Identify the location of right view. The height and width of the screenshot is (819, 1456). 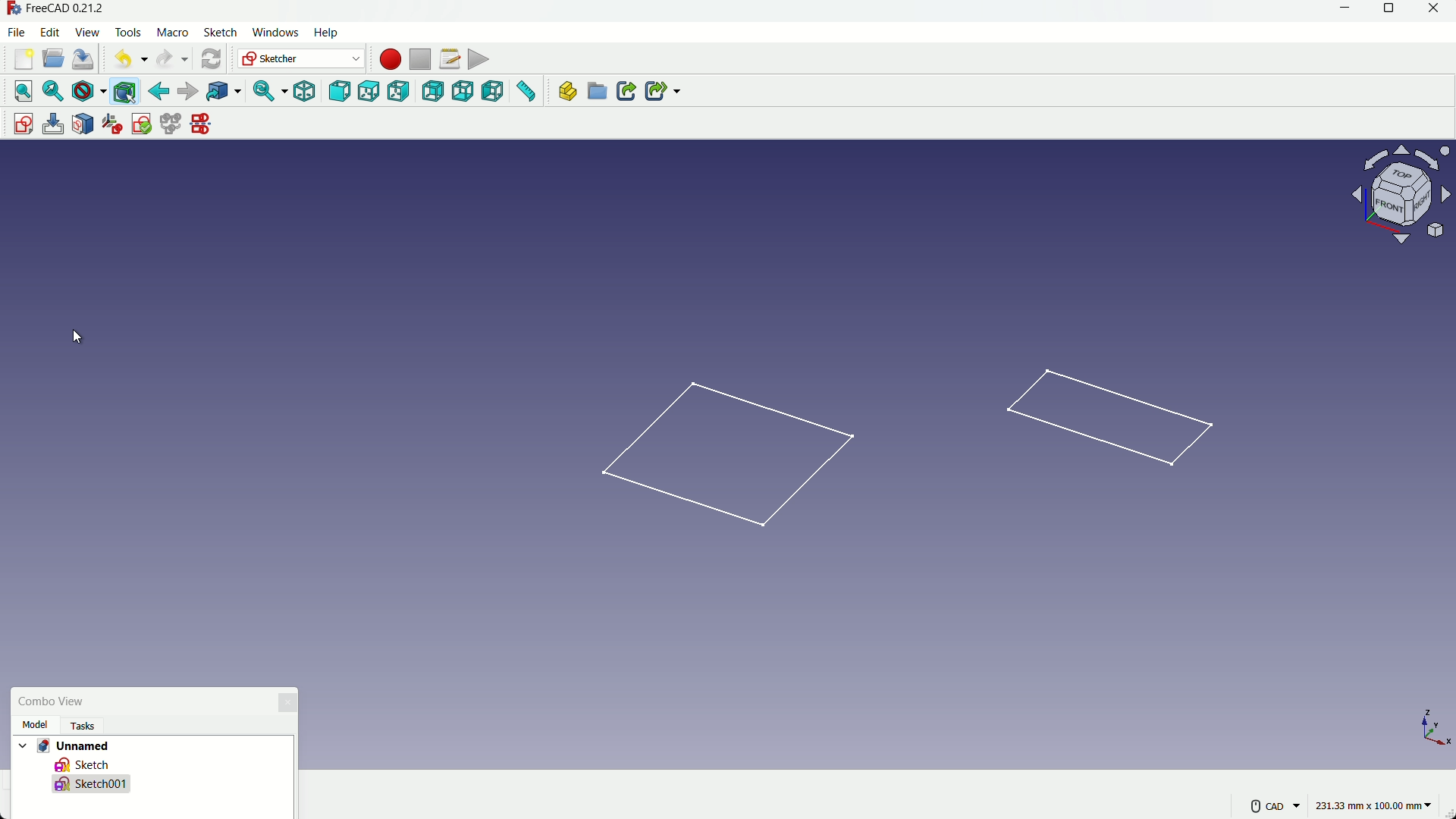
(400, 92).